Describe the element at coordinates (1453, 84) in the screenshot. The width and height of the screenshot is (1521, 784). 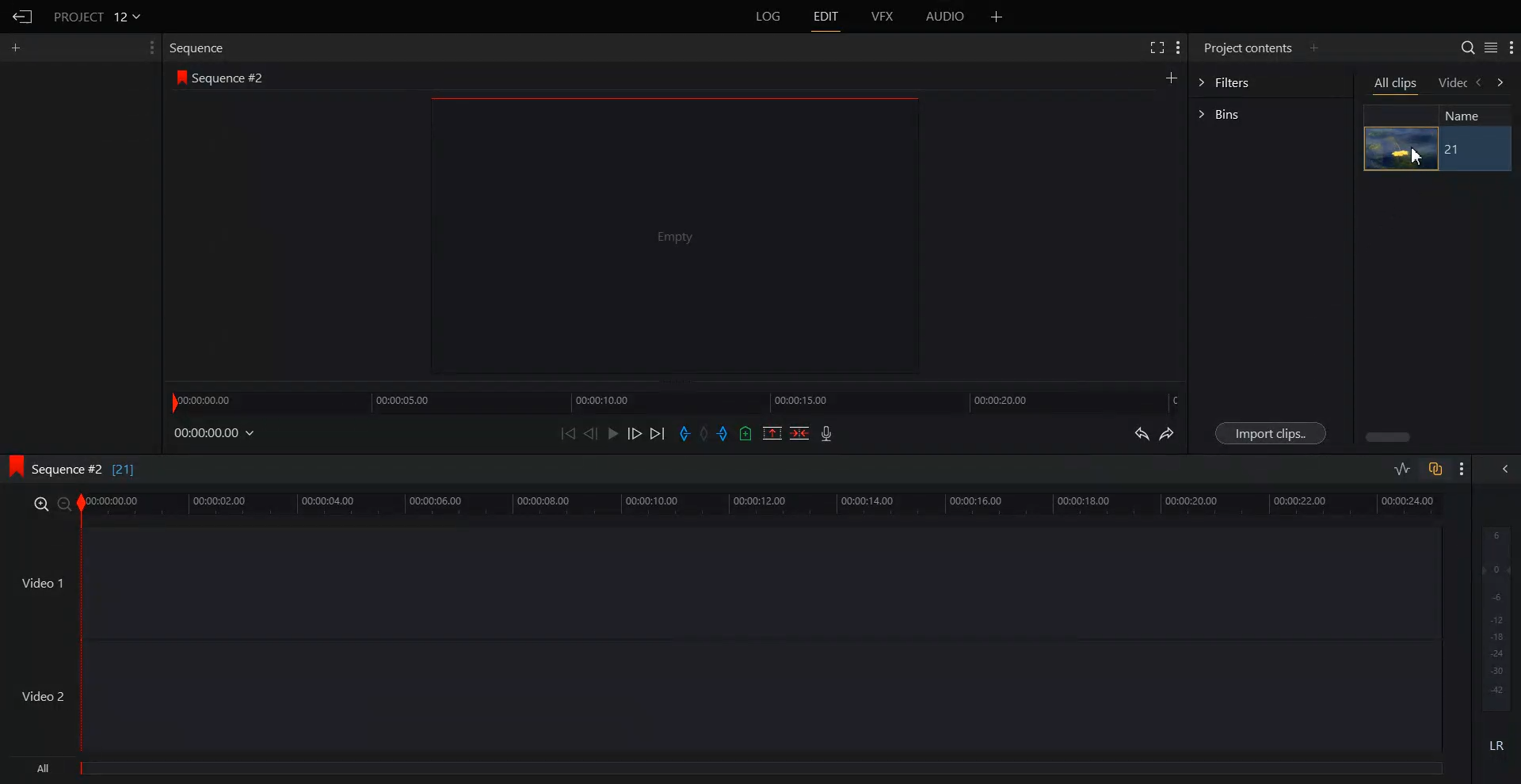
I see `Video` at that location.